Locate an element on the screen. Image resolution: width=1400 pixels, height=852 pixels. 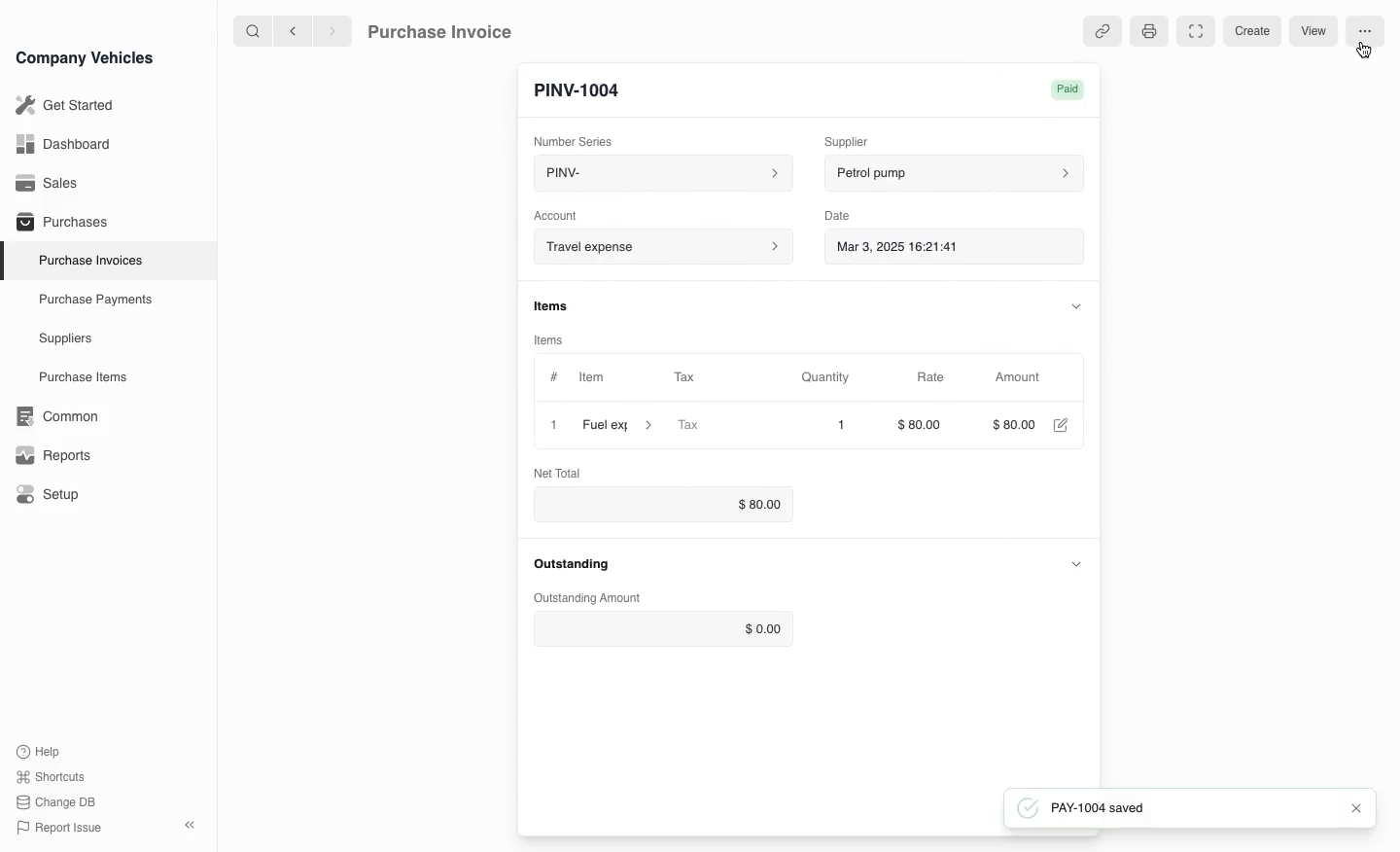
Purchase Invoices is located at coordinates (87, 260).